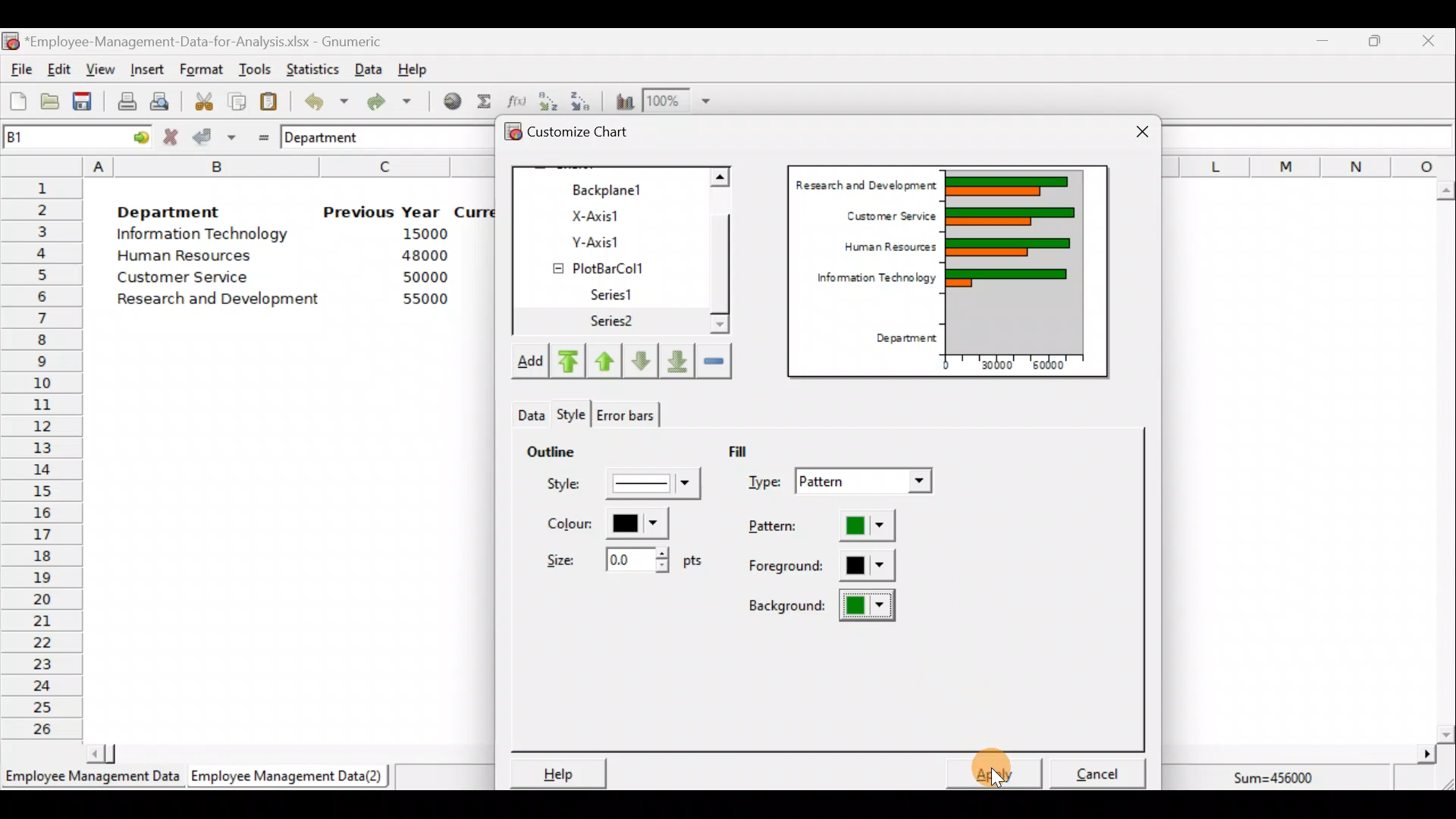  Describe the element at coordinates (612, 263) in the screenshot. I see `PlotBarCol1` at that location.